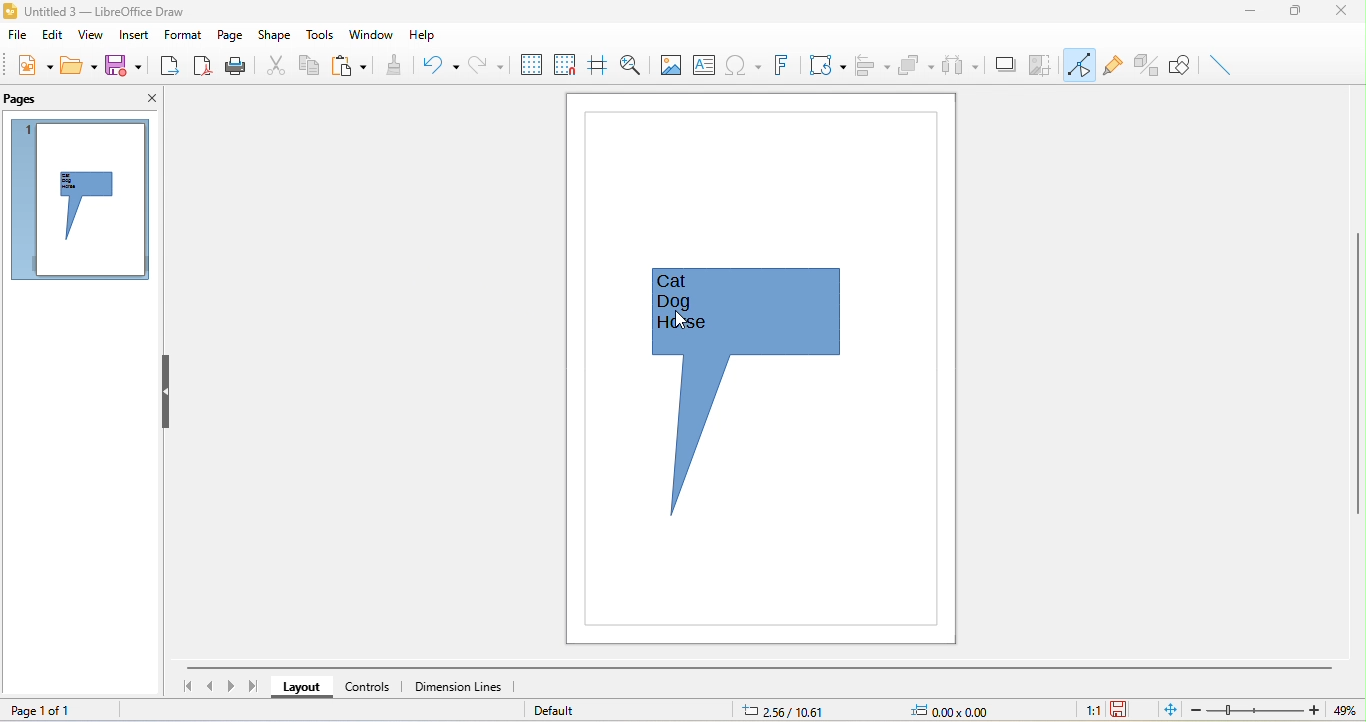  Describe the element at coordinates (956, 710) in the screenshot. I see `0.00x0.00` at that location.